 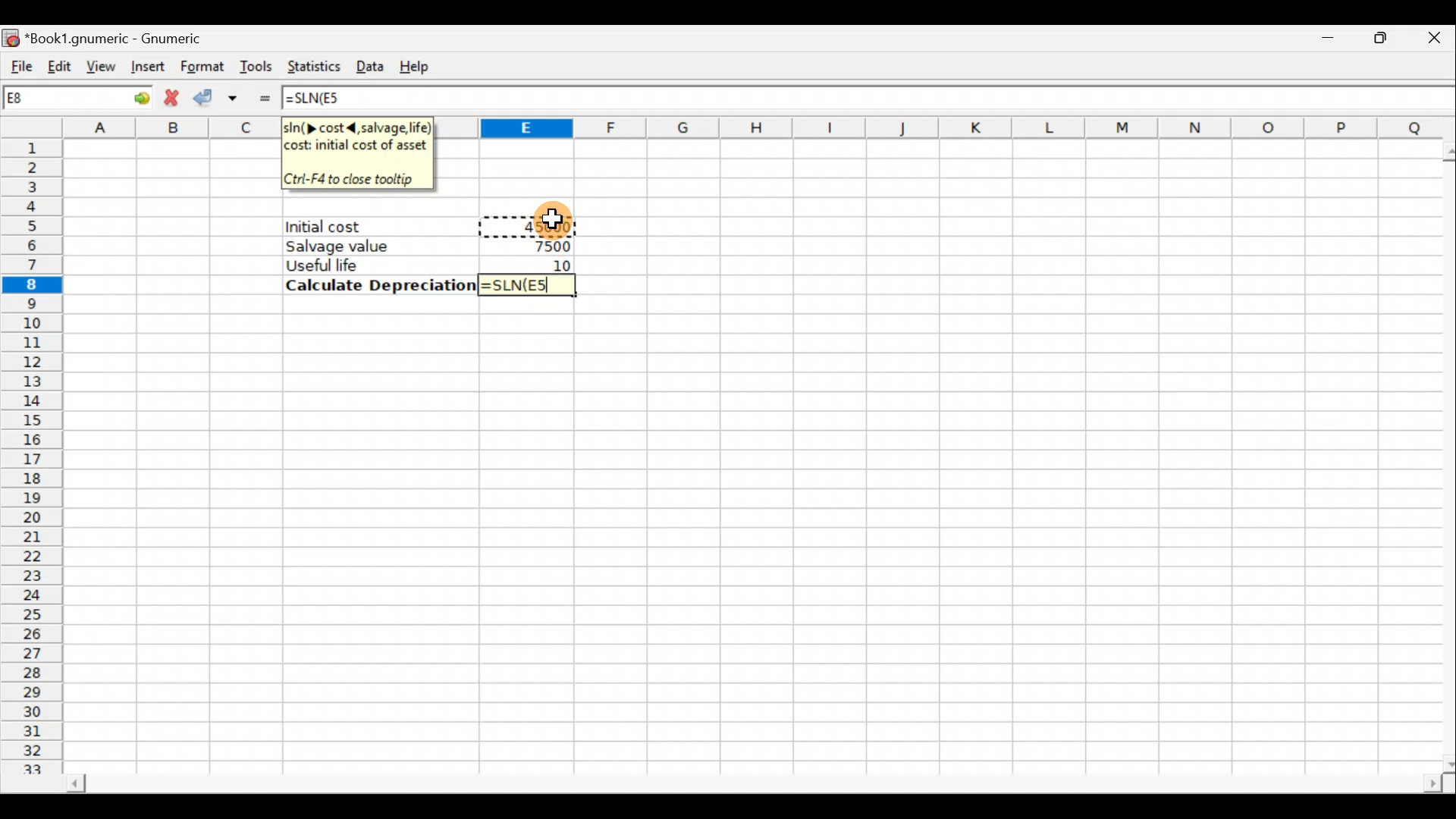 What do you see at coordinates (314, 63) in the screenshot?
I see `Statistics` at bounding box center [314, 63].